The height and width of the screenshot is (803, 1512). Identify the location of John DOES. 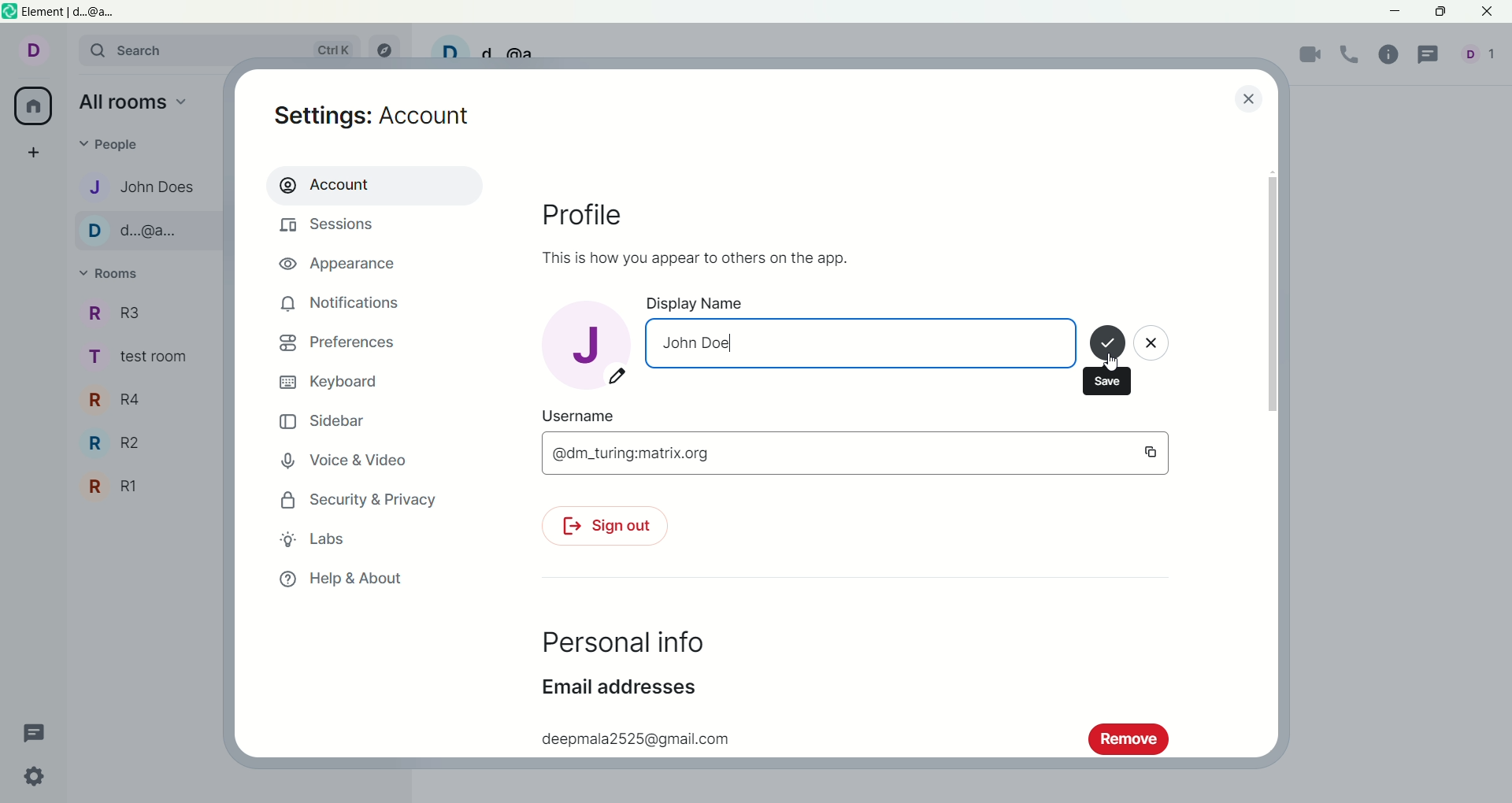
(136, 186).